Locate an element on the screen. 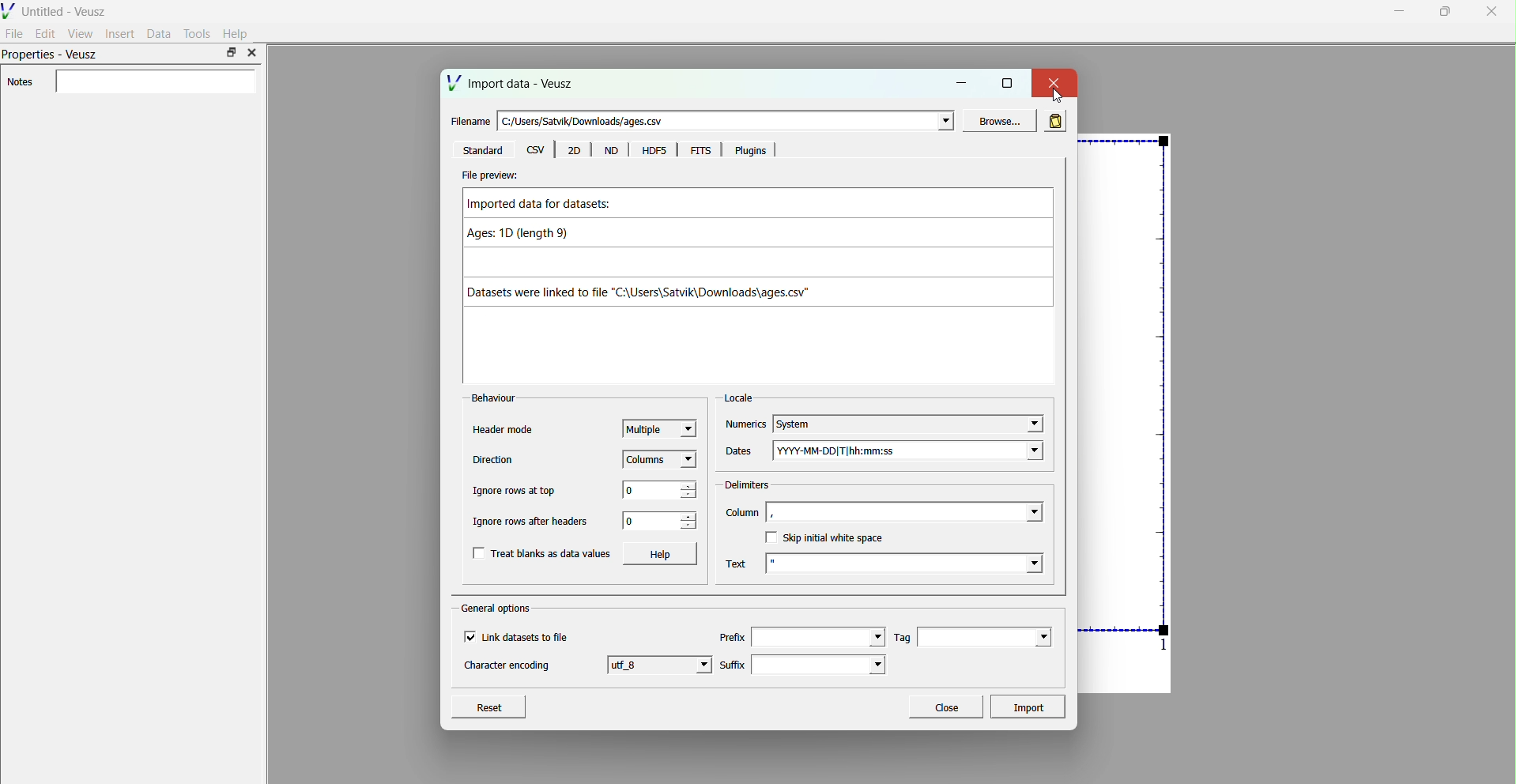  Column is located at coordinates (741, 512).